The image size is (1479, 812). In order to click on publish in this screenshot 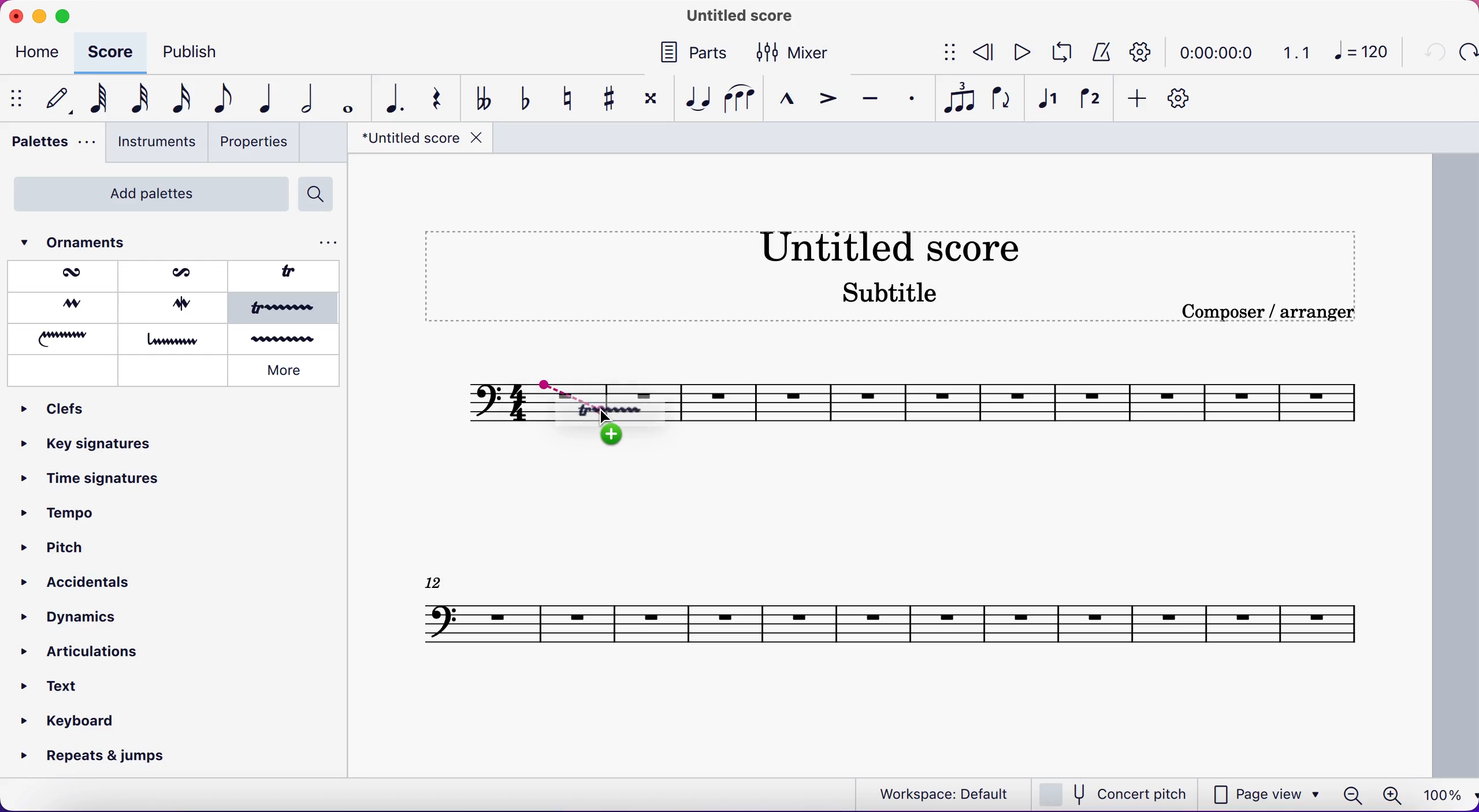, I will do `click(205, 52)`.